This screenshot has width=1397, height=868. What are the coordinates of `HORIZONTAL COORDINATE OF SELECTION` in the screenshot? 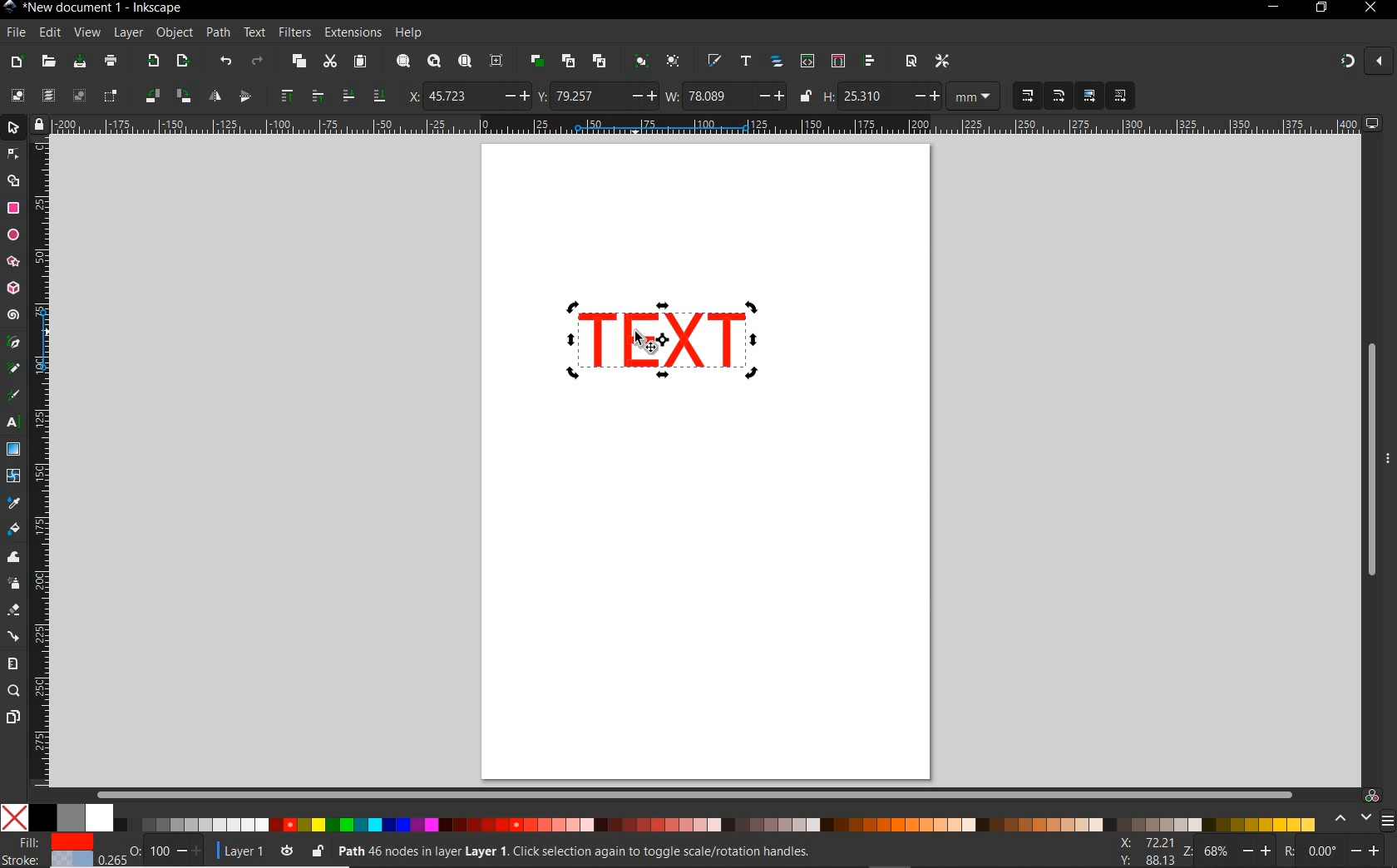 It's located at (469, 96).